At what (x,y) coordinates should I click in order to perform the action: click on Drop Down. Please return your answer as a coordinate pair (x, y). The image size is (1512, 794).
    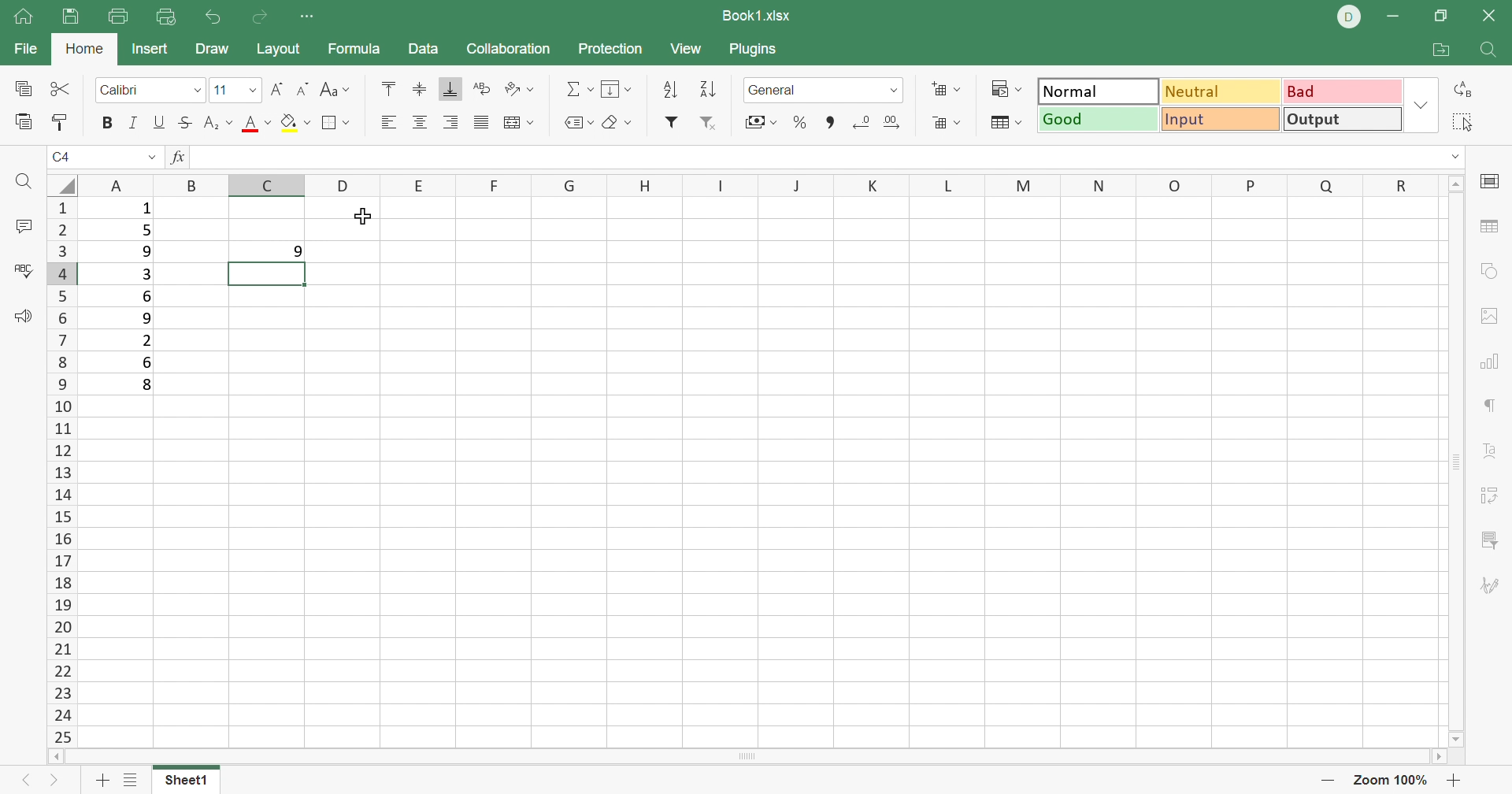
    Looking at the image, I should click on (892, 92).